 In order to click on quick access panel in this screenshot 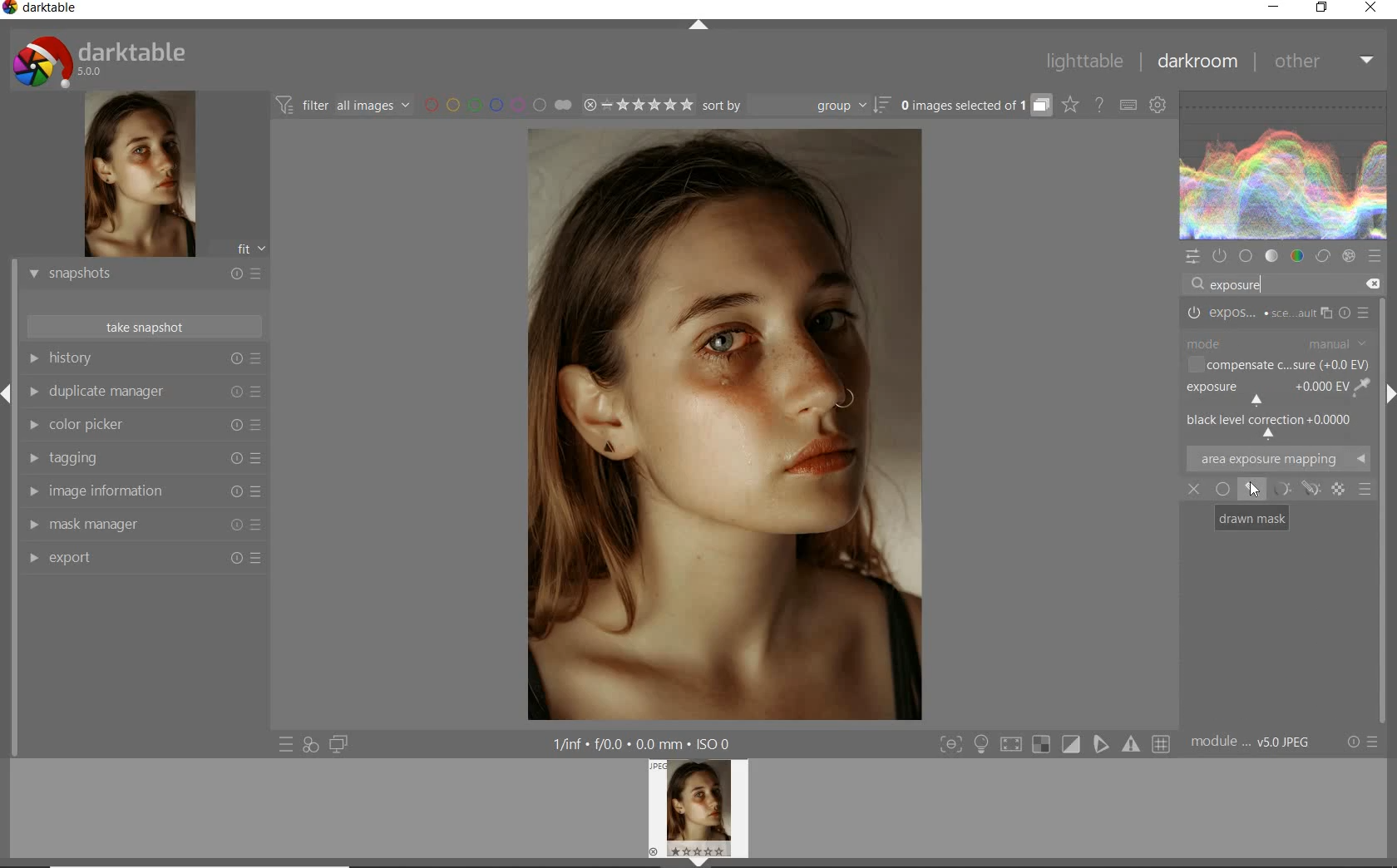, I will do `click(1191, 257)`.